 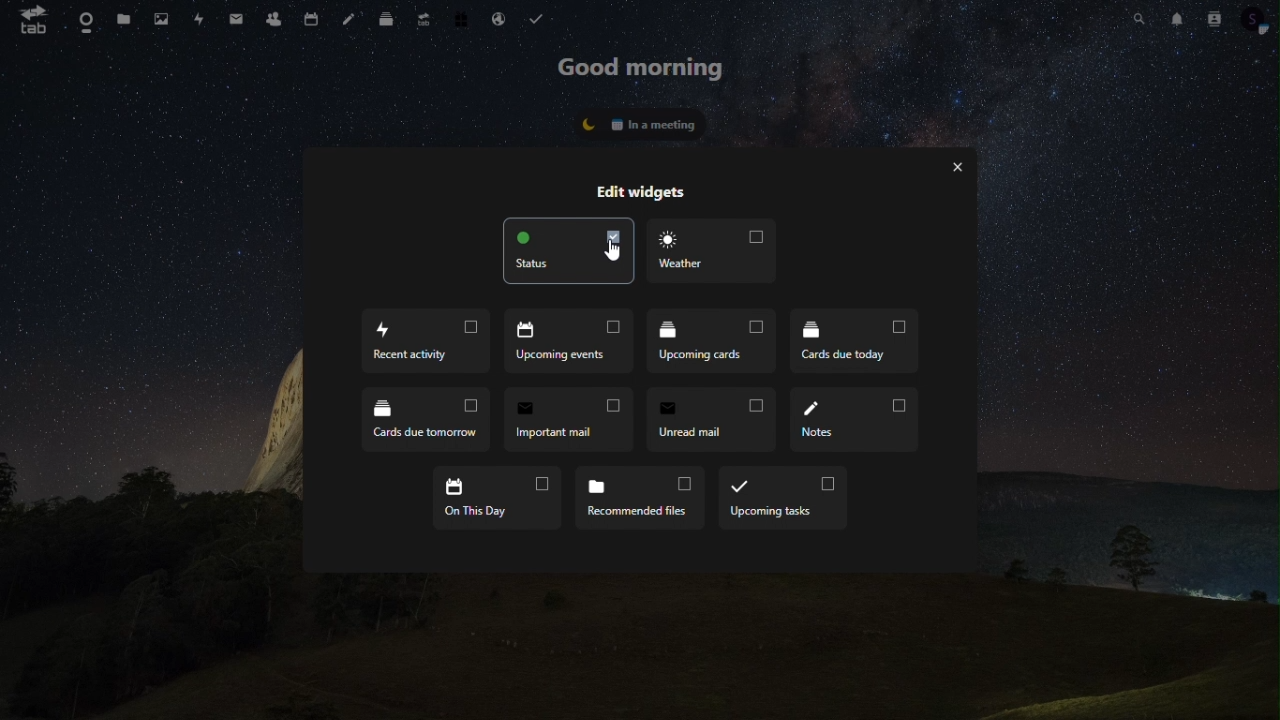 I want to click on Cursor, so click(x=616, y=250).